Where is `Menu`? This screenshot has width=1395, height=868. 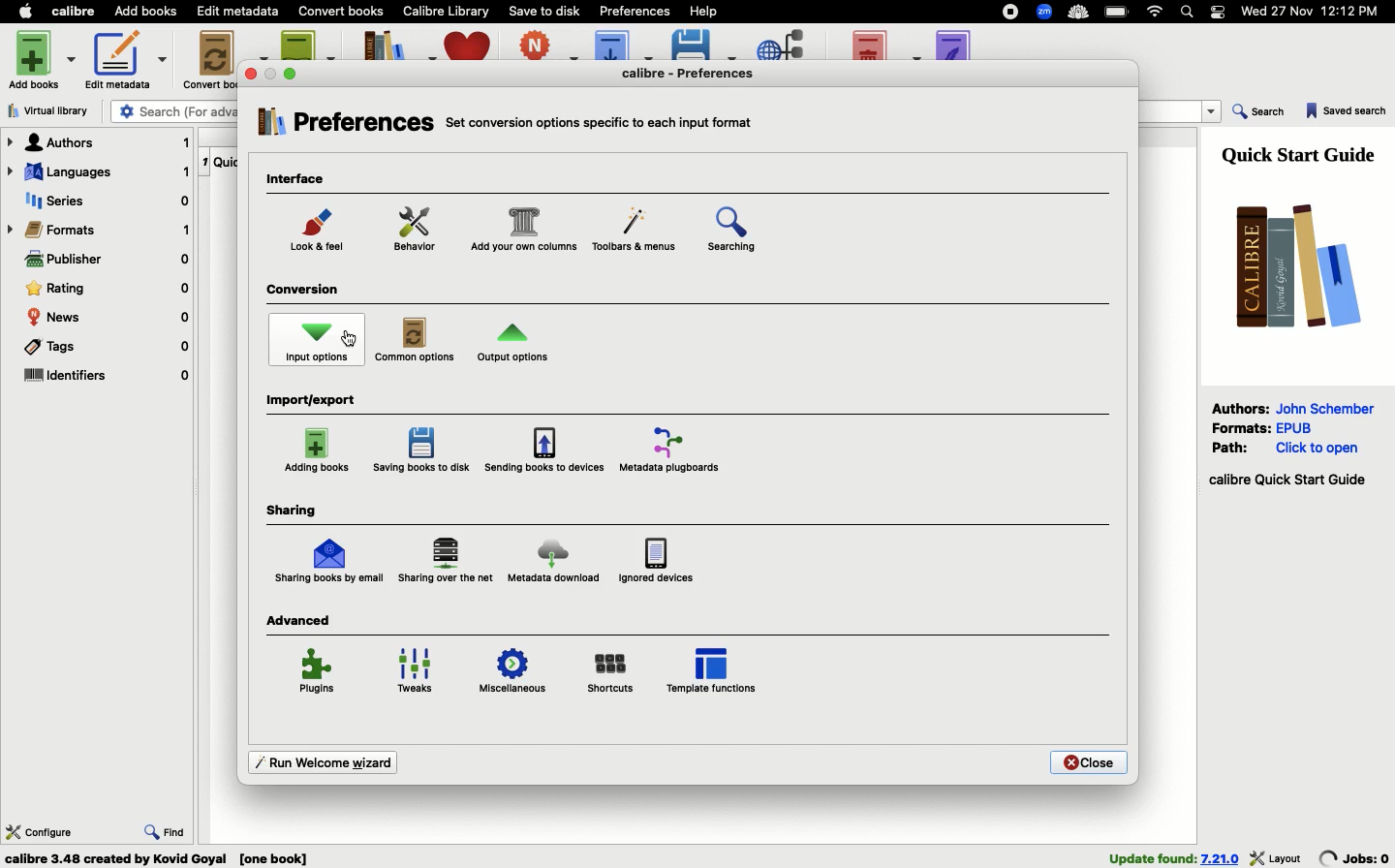
Menu is located at coordinates (631, 232).